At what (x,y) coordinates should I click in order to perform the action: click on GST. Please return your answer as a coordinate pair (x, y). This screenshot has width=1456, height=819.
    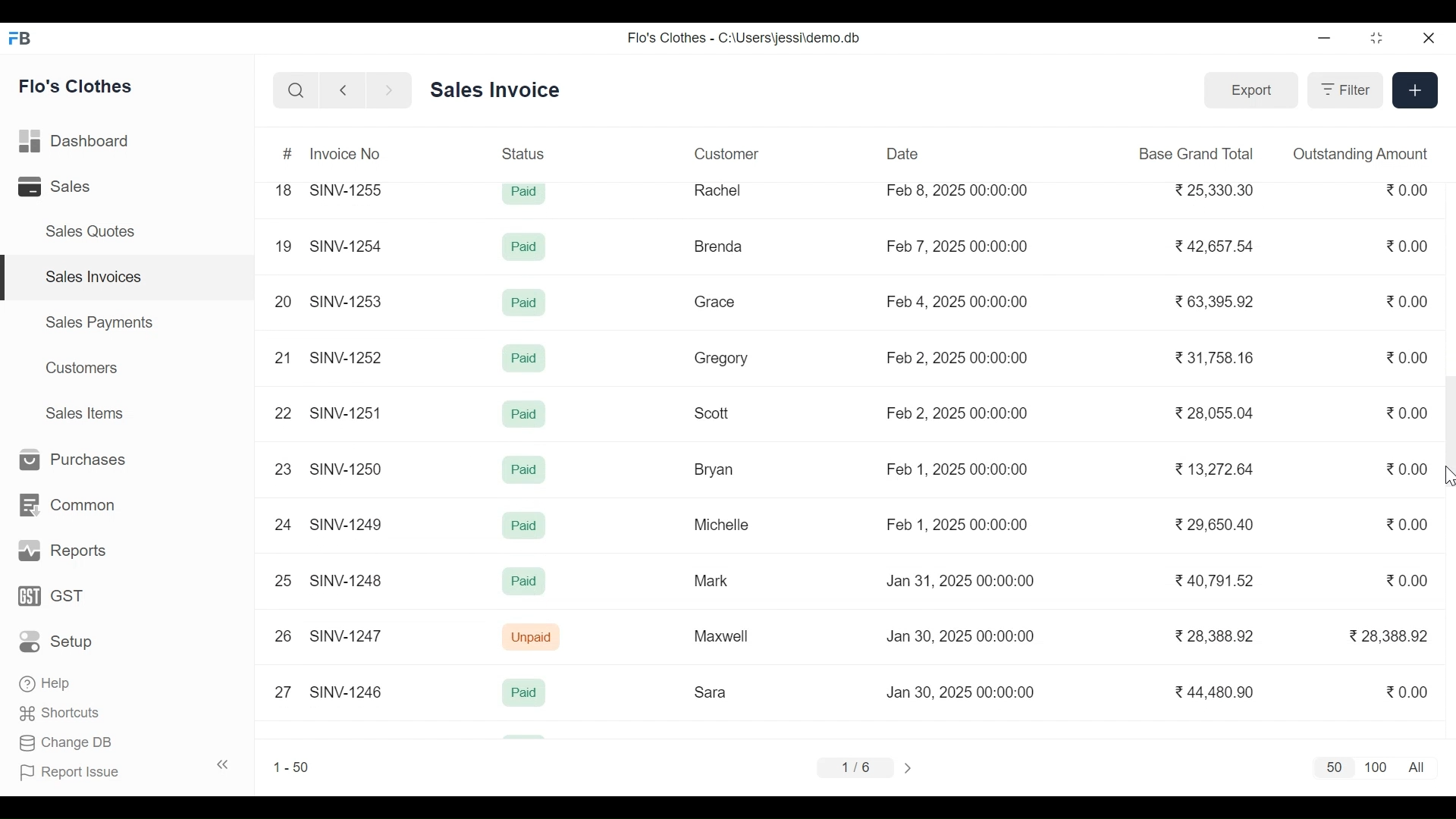
    Looking at the image, I should click on (51, 597).